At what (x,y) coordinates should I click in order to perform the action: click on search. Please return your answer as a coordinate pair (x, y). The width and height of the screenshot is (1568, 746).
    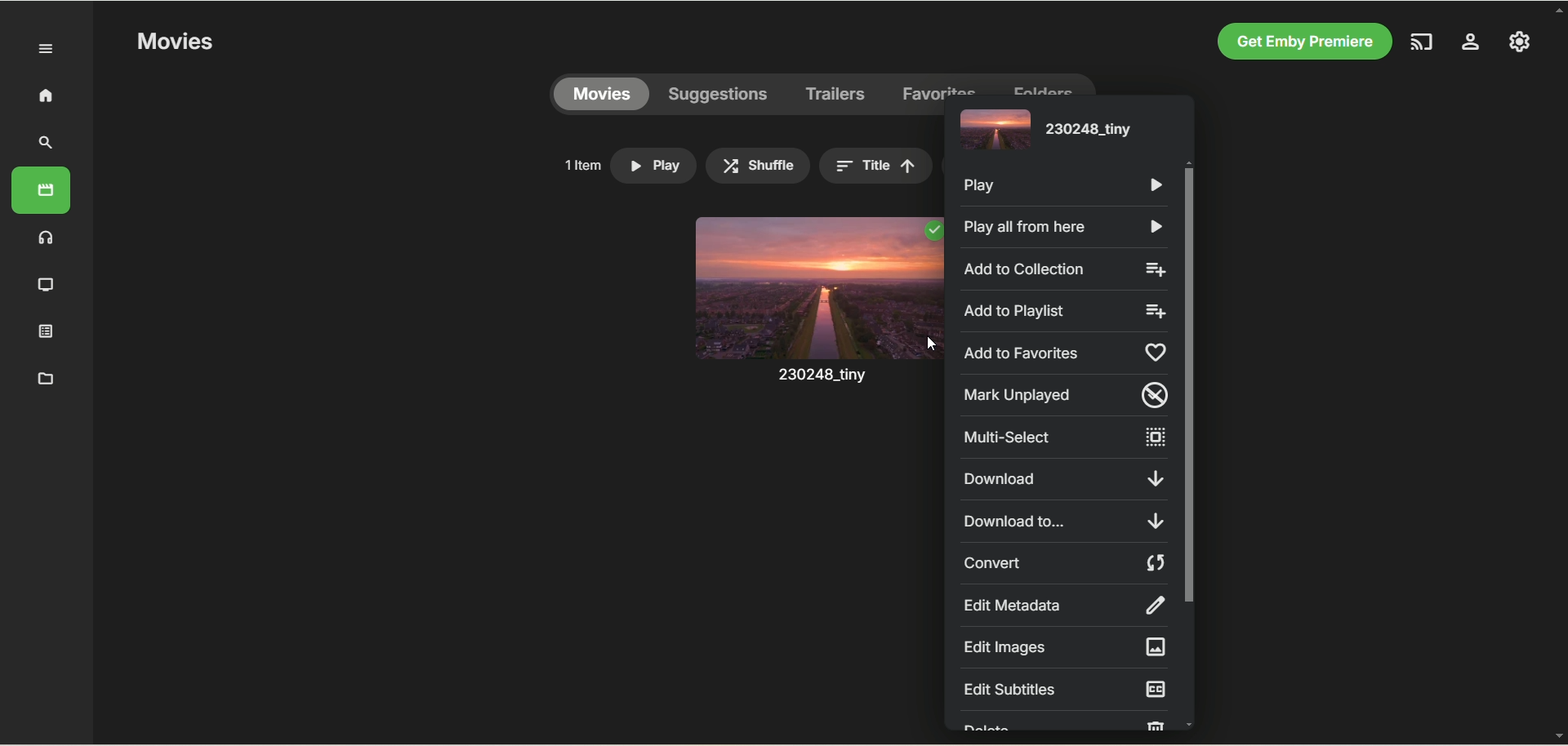
    Looking at the image, I should click on (47, 143).